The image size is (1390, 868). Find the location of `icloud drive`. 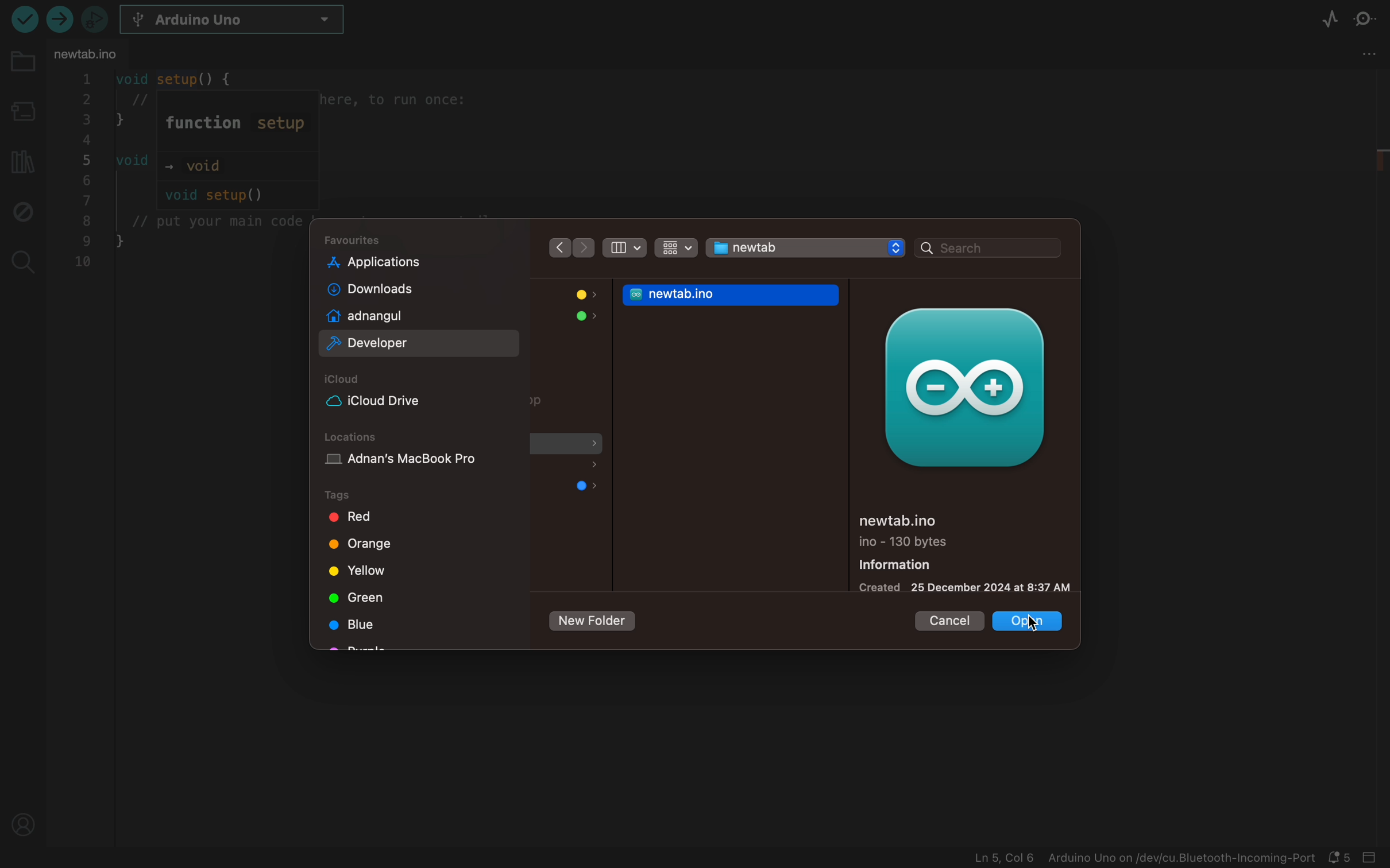

icloud drive is located at coordinates (395, 401).